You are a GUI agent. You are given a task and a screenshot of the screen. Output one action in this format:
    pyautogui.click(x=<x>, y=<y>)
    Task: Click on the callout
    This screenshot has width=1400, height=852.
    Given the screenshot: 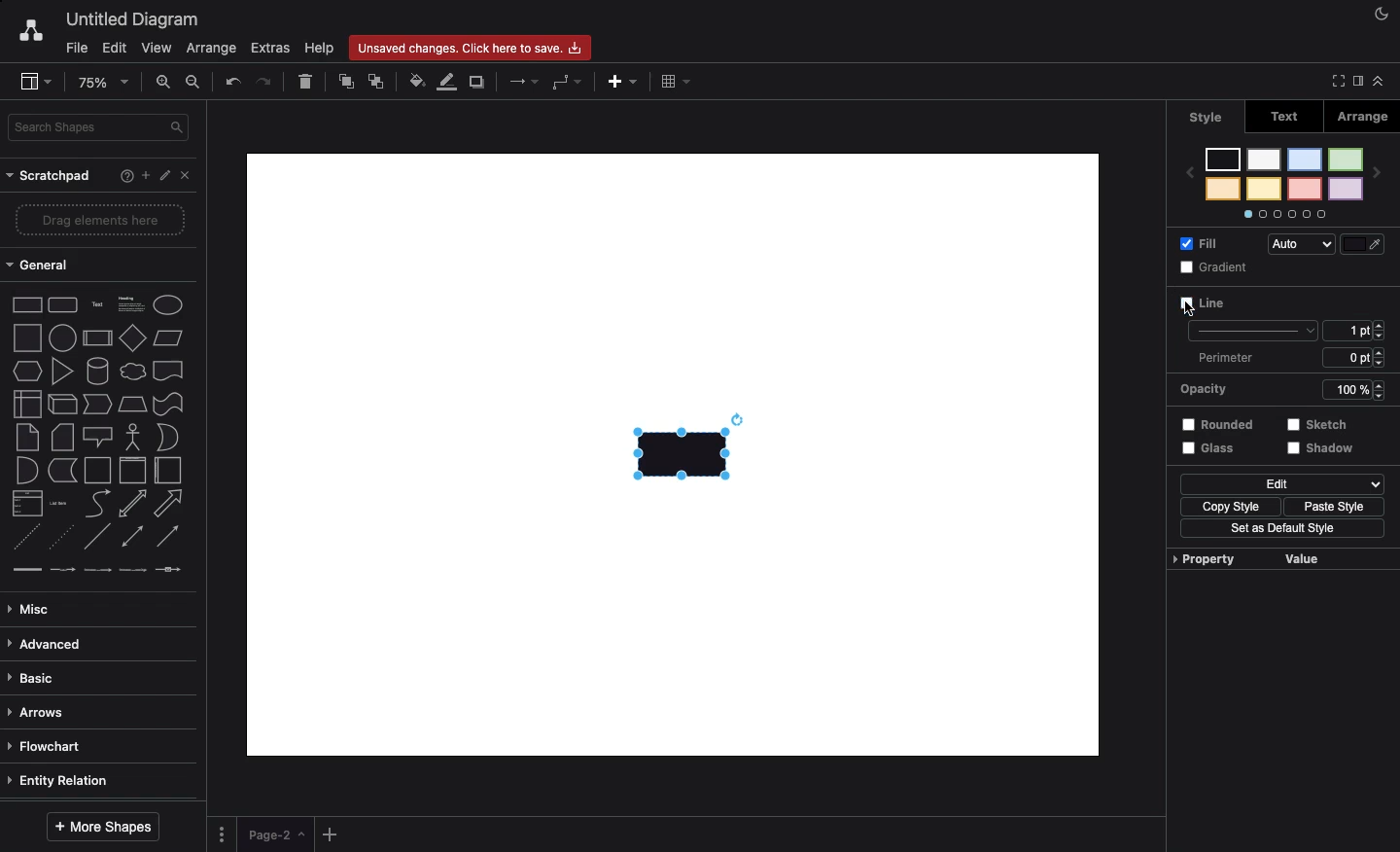 What is the action you would take?
    pyautogui.click(x=99, y=436)
    